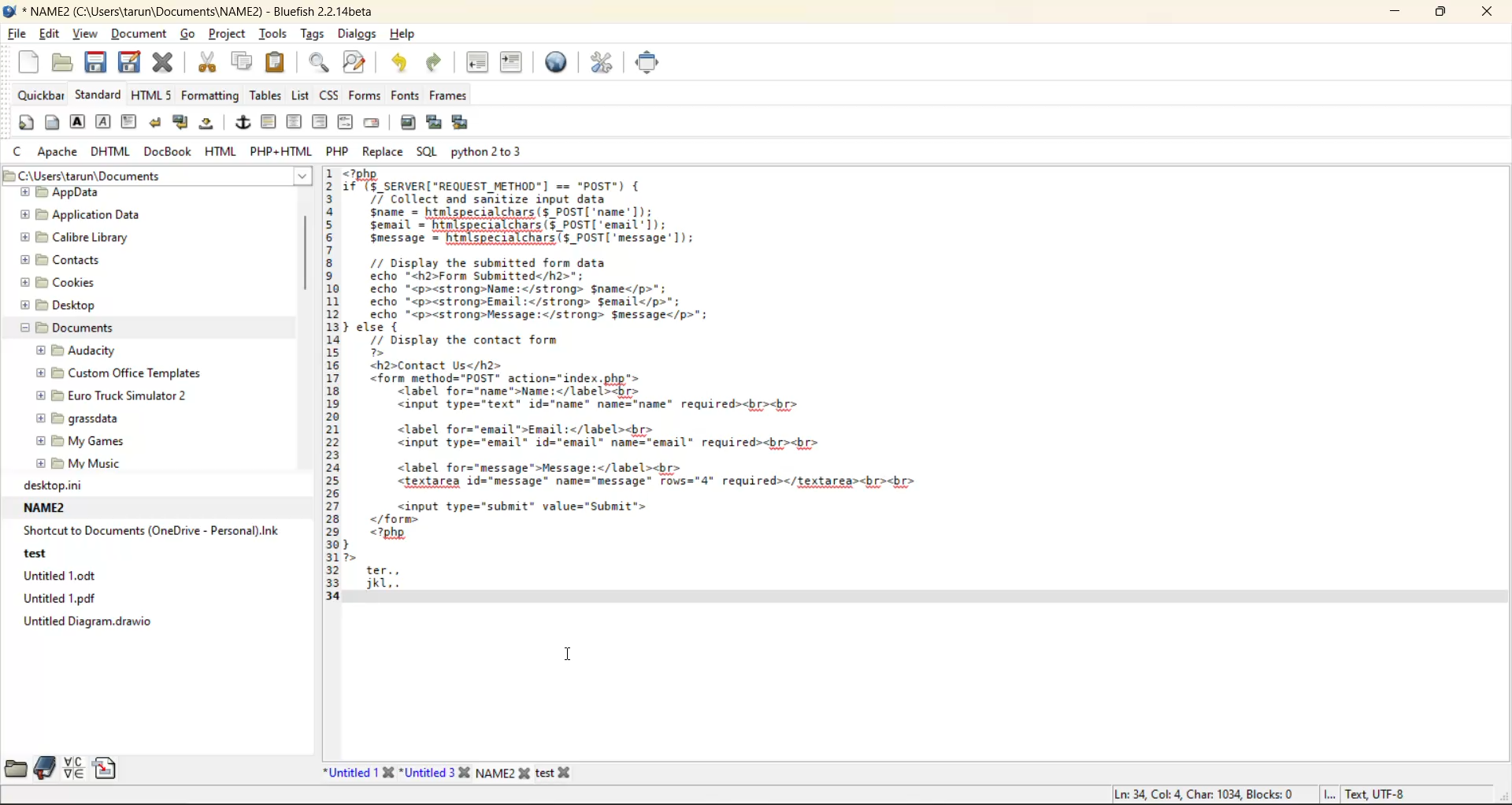 This screenshot has width=1512, height=805. I want to click on indent, so click(513, 63).